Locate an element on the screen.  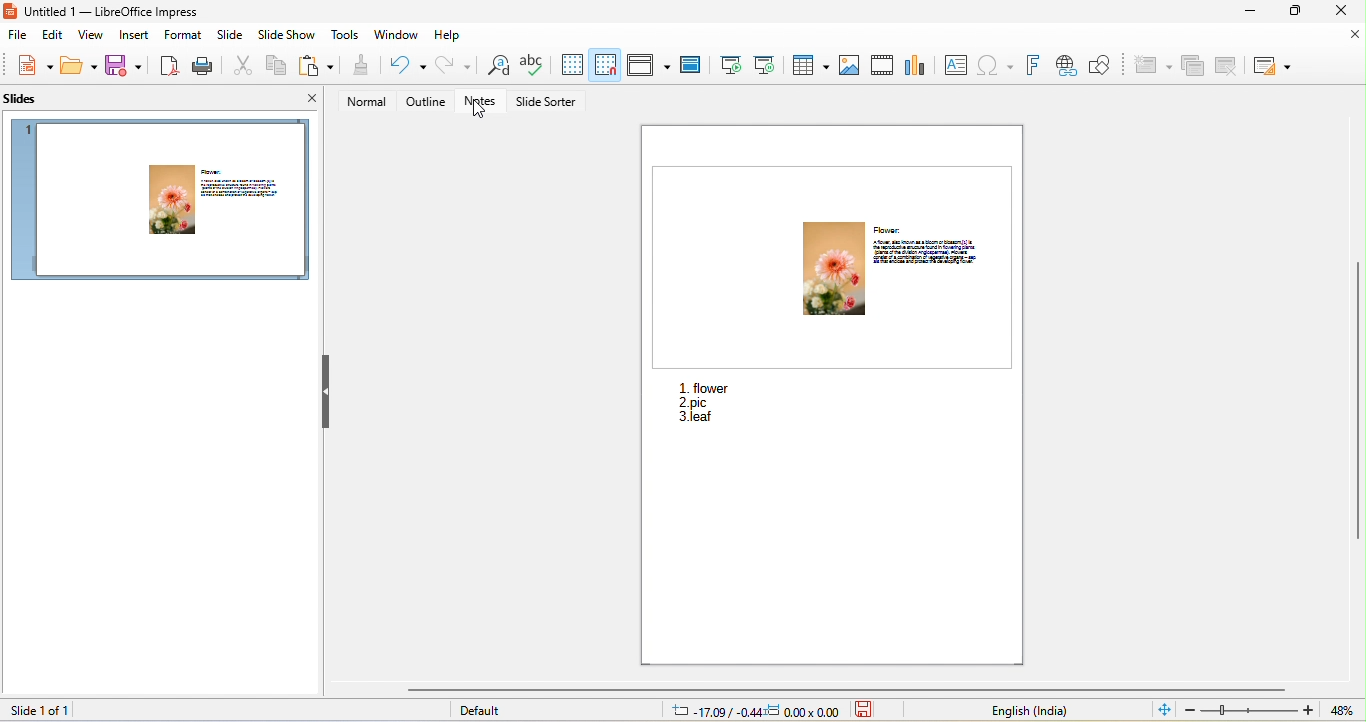
slide is located at coordinates (228, 35).